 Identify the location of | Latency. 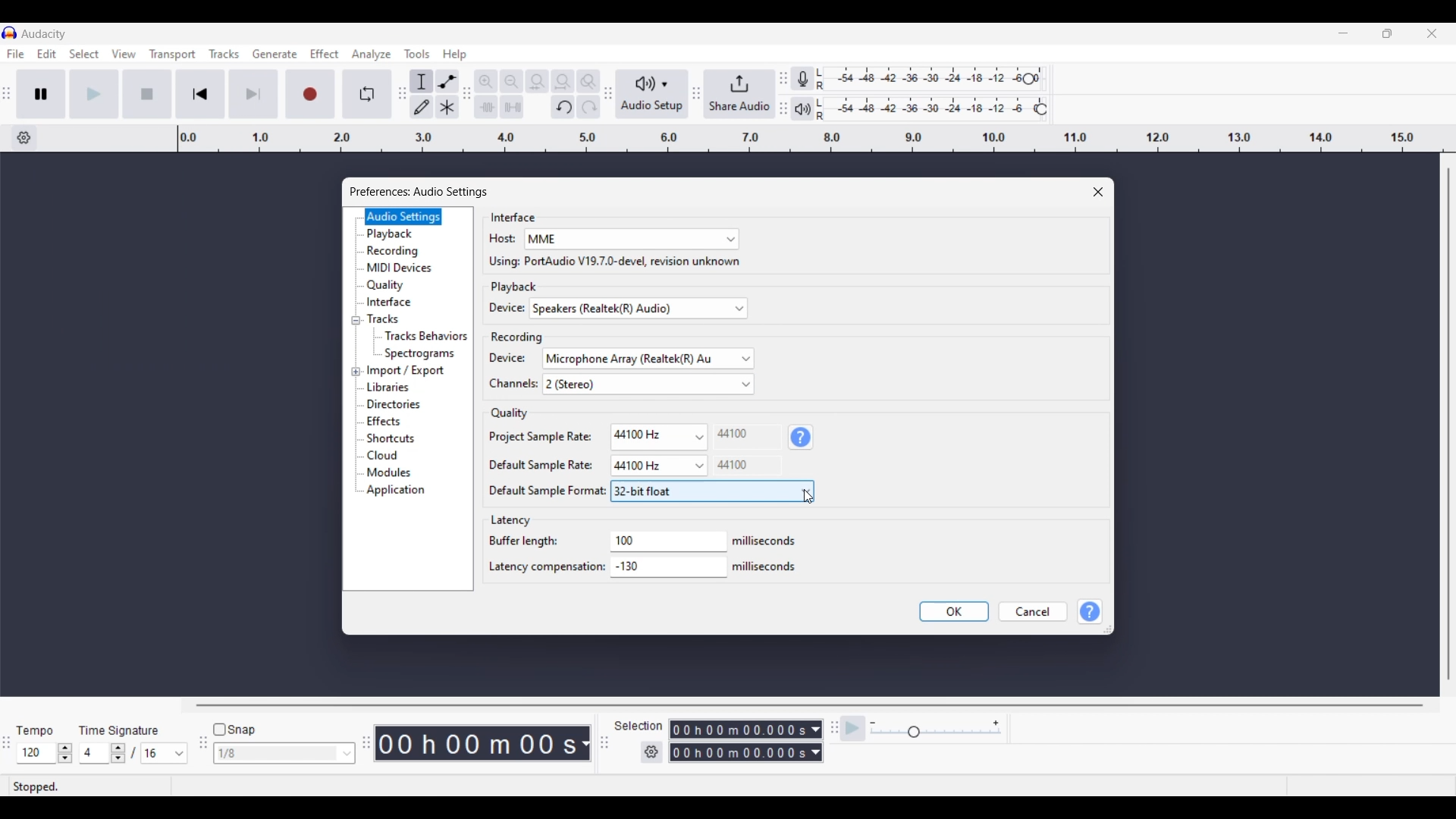
(513, 521).